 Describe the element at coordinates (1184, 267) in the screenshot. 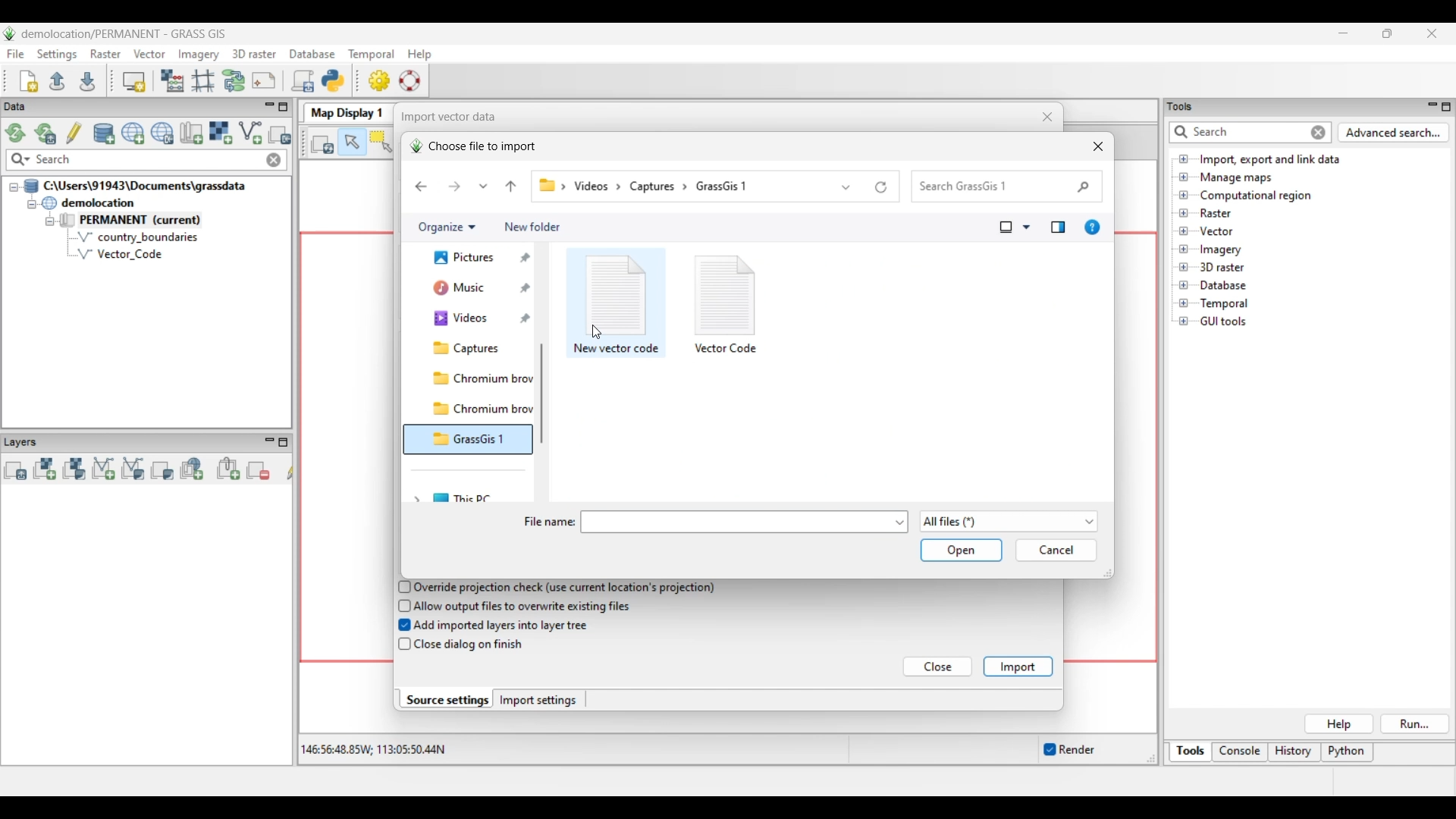

I see `Click to open files under 3D Raster` at that location.